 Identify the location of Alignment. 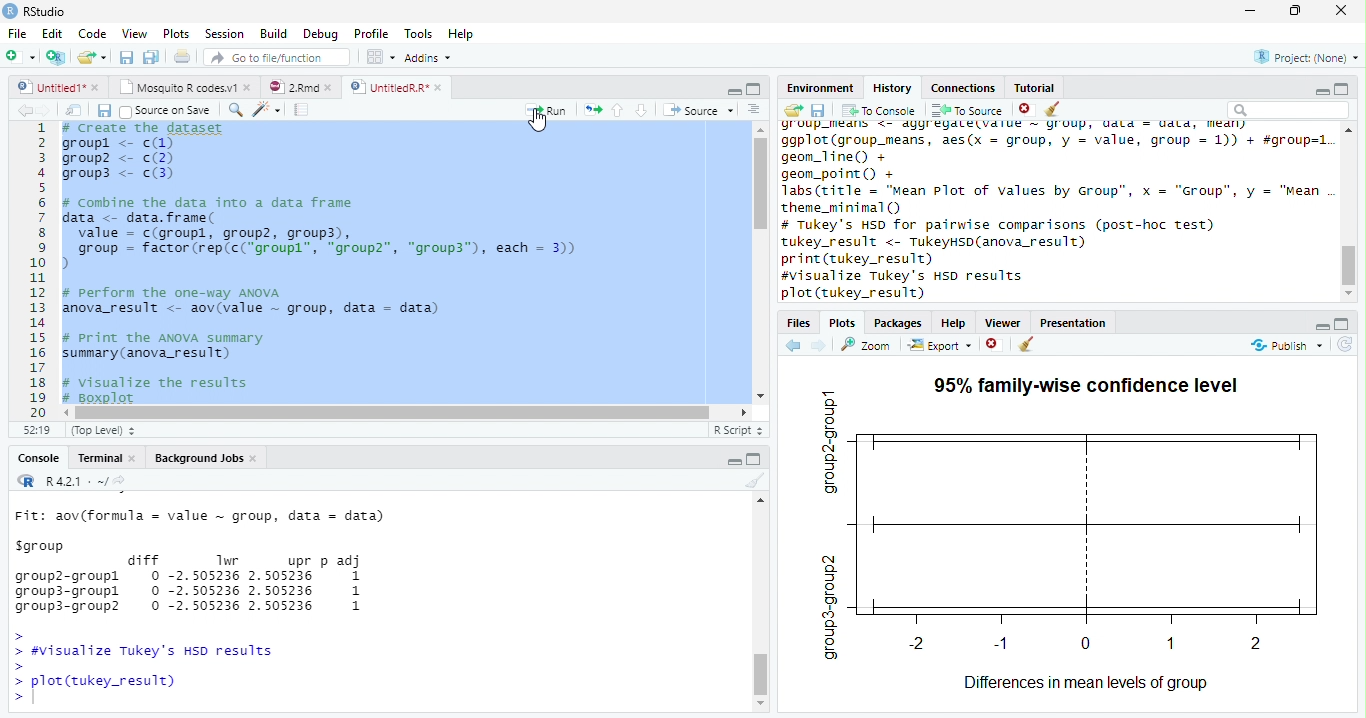
(753, 111).